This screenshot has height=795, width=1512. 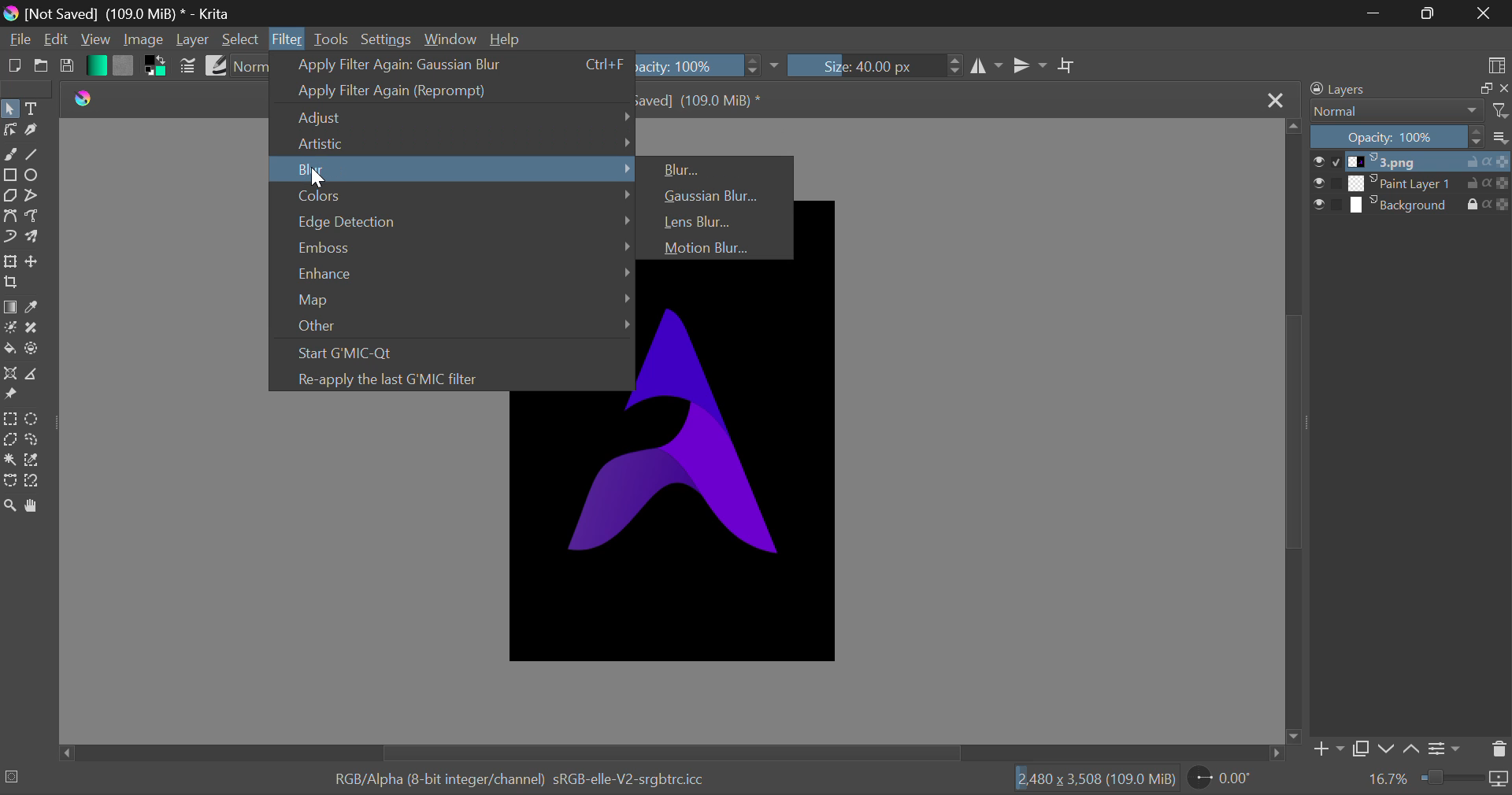 What do you see at coordinates (87, 100) in the screenshot?
I see `Krita Logo` at bounding box center [87, 100].